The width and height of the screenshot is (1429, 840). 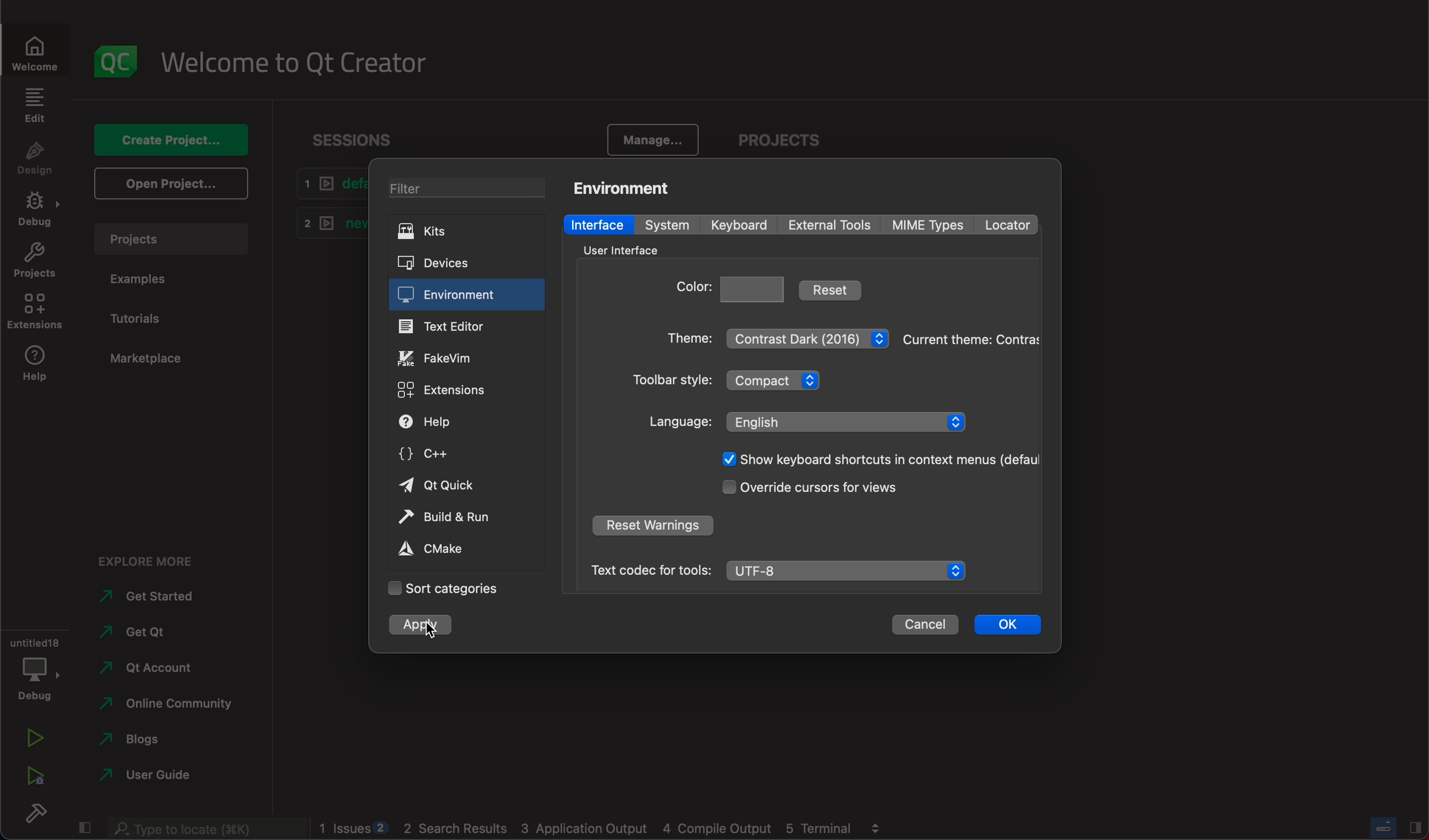 I want to click on system, so click(x=665, y=224).